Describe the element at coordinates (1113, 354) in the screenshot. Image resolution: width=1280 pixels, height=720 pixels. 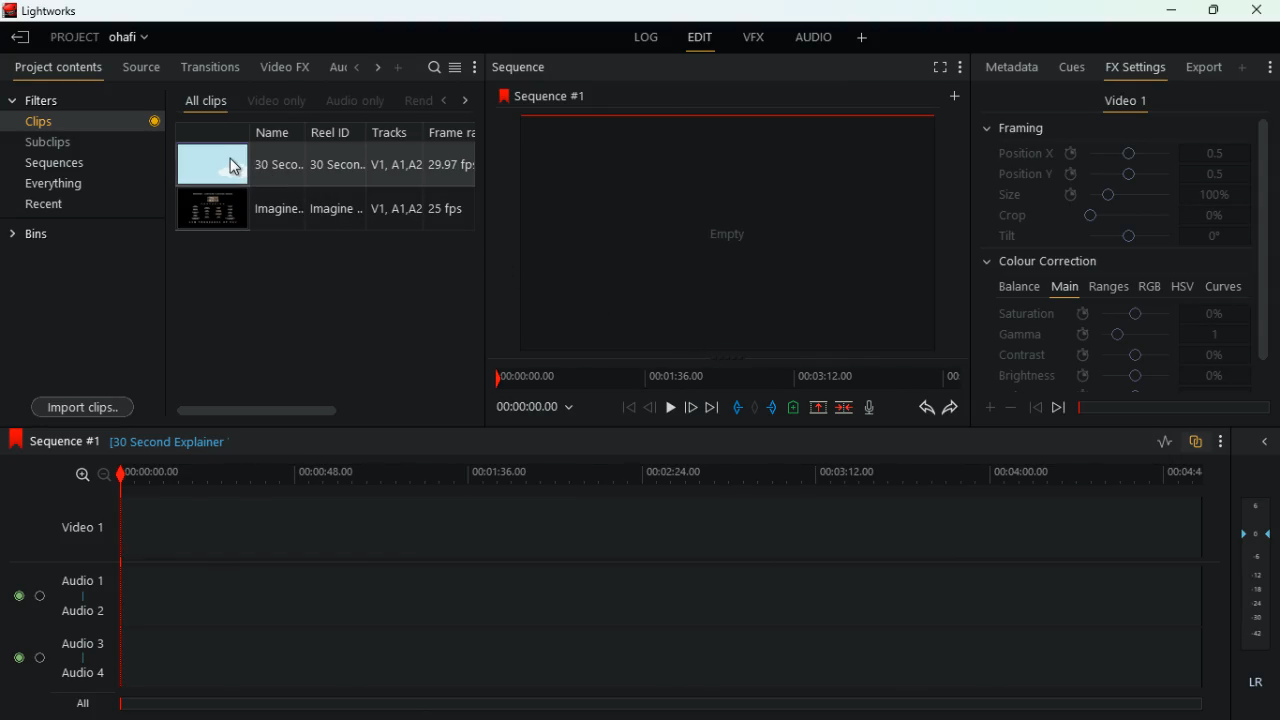
I see `contrast` at that location.